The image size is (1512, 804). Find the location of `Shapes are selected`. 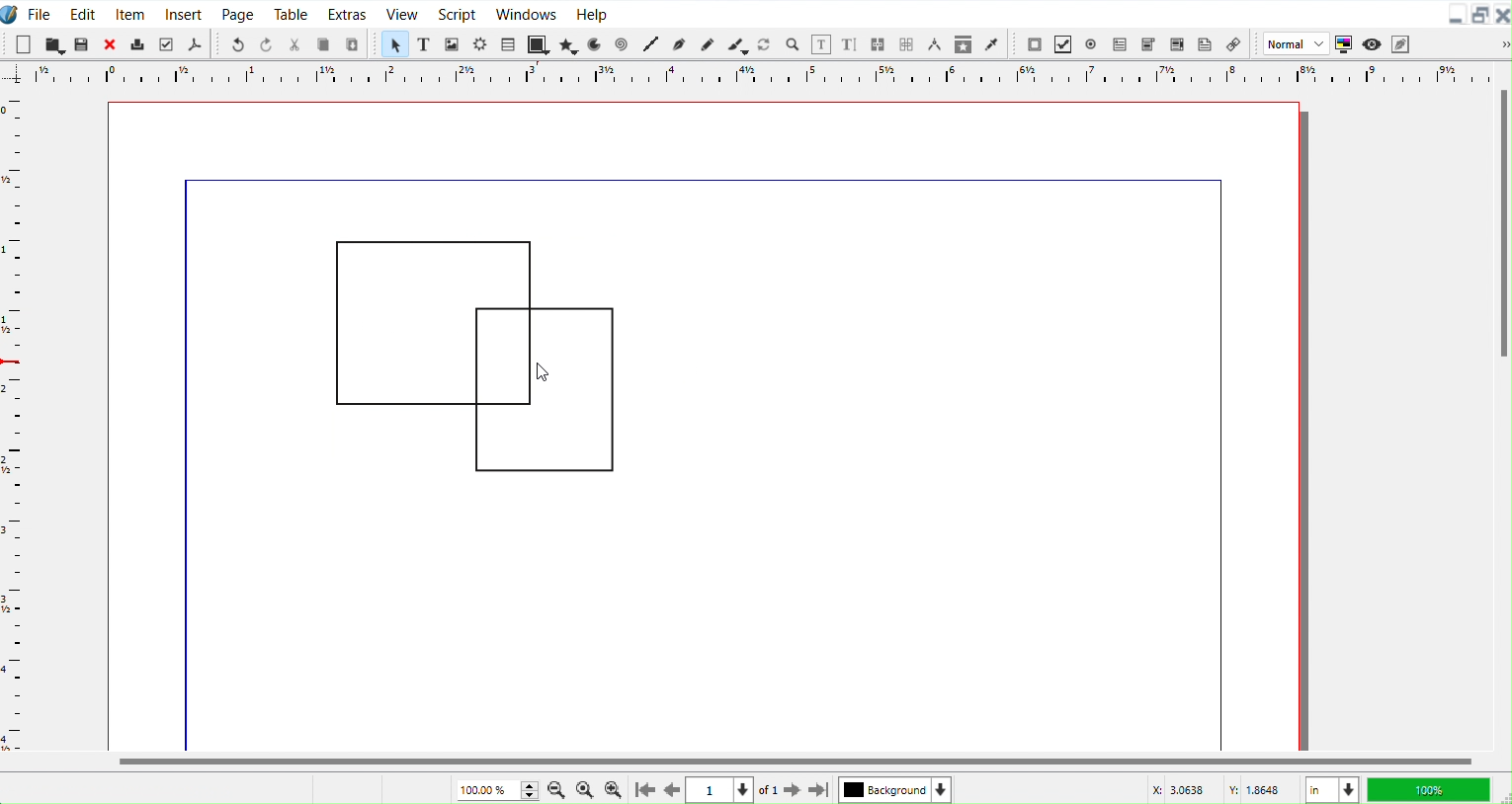

Shapes are selected is located at coordinates (472, 356).